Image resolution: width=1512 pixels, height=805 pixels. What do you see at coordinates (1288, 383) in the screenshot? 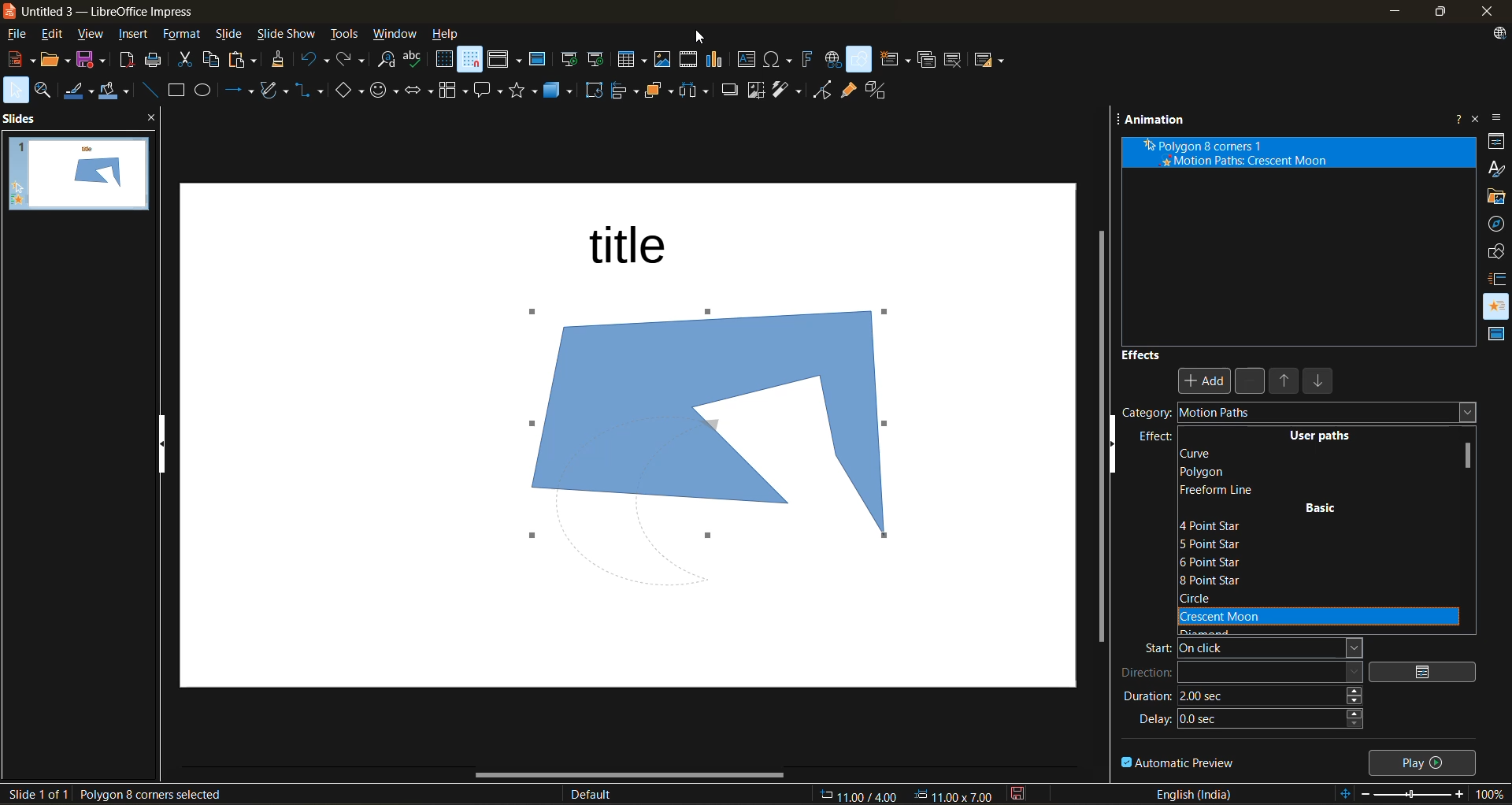
I see `move up` at bounding box center [1288, 383].